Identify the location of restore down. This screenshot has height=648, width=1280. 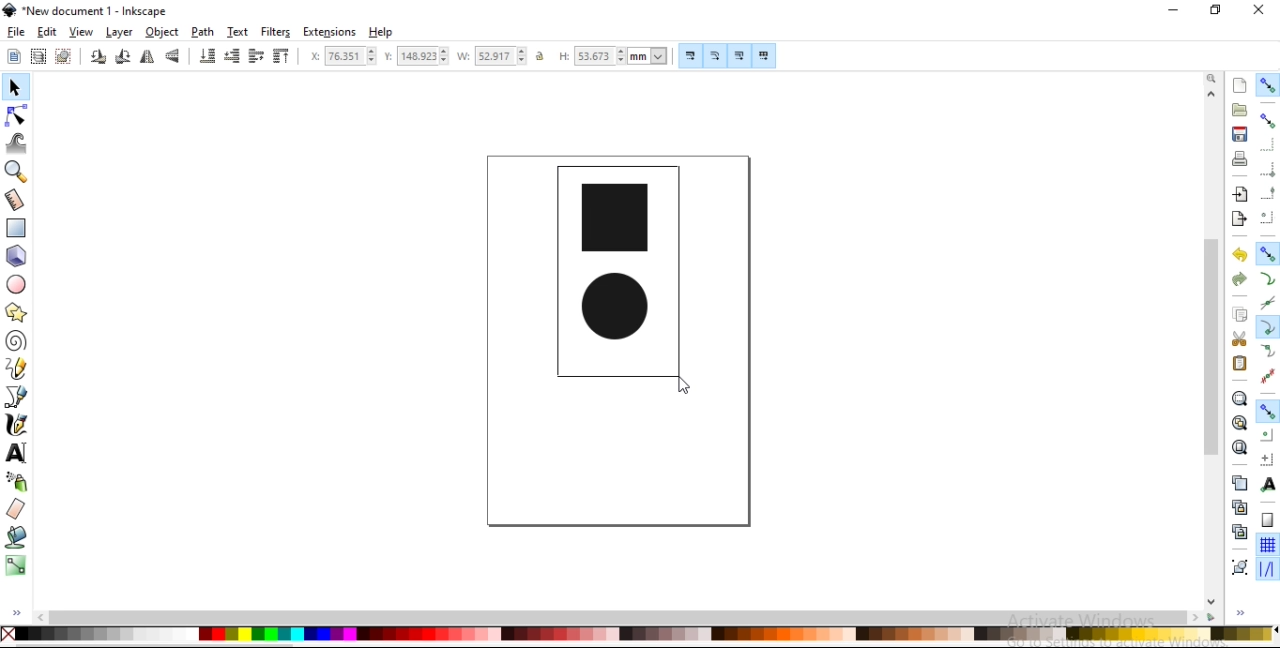
(1216, 10).